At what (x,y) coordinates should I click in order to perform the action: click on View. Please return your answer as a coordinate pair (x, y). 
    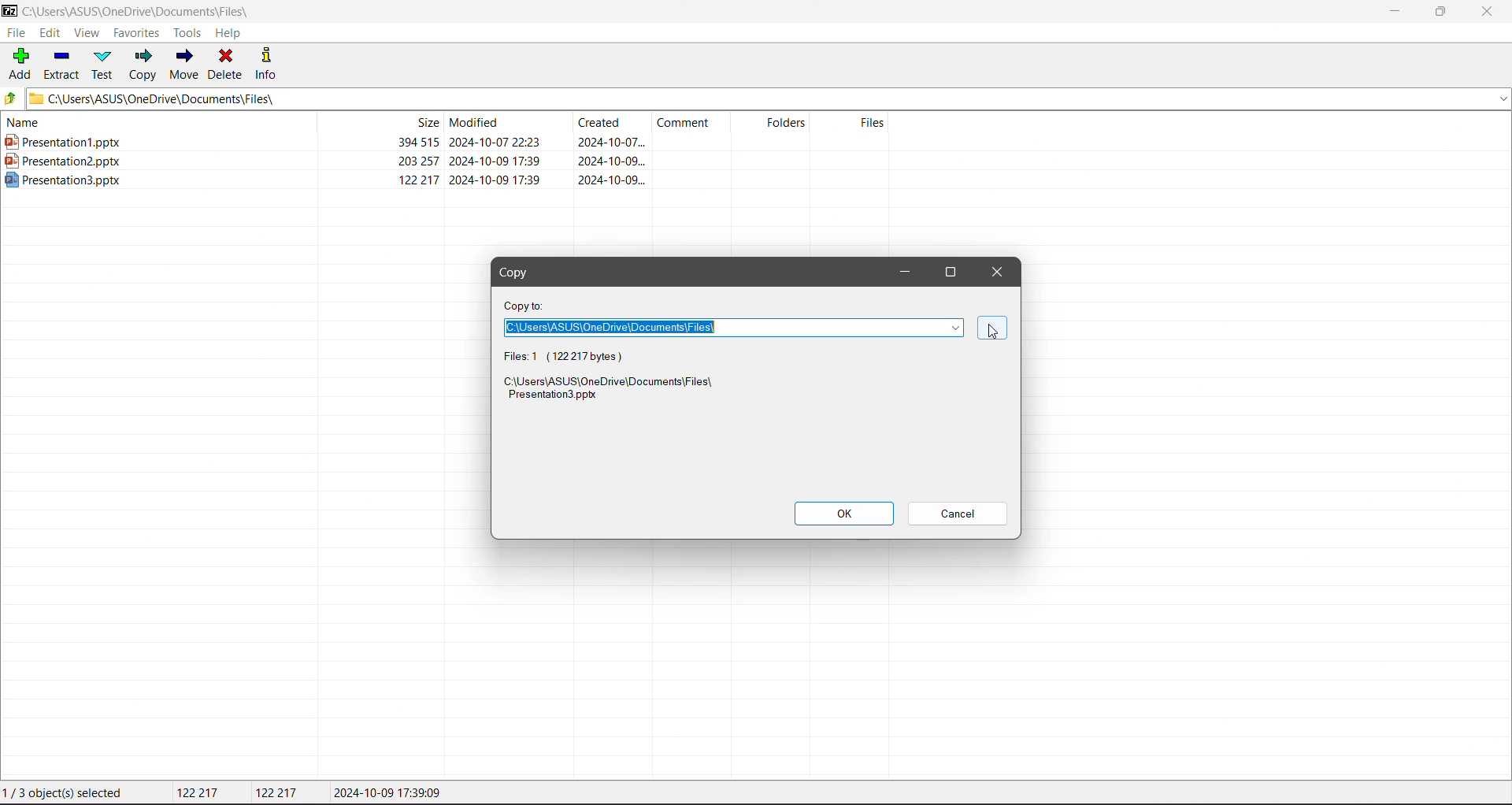
    Looking at the image, I should click on (86, 33).